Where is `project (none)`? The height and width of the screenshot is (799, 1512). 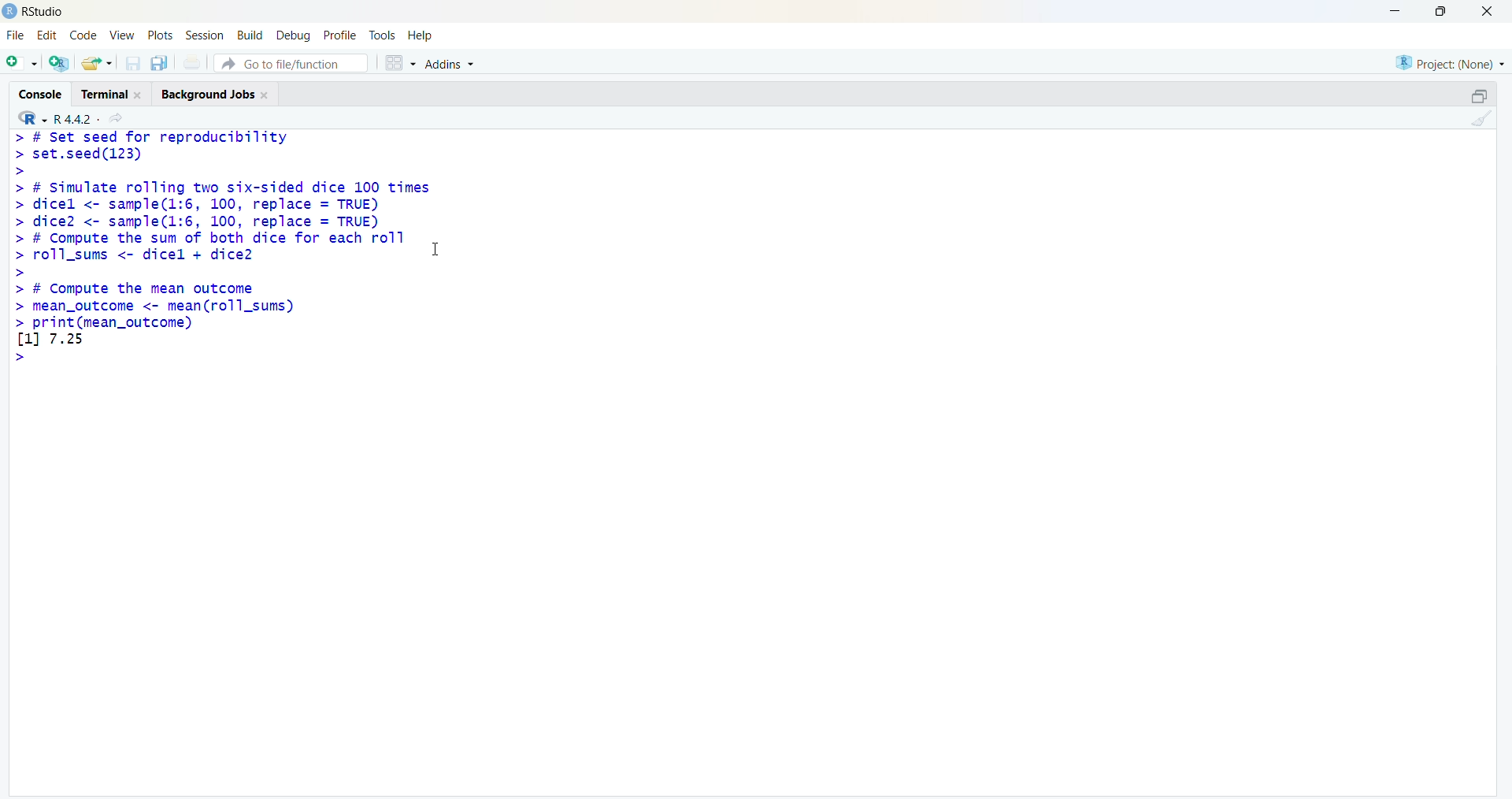 project (none) is located at coordinates (1450, 65).